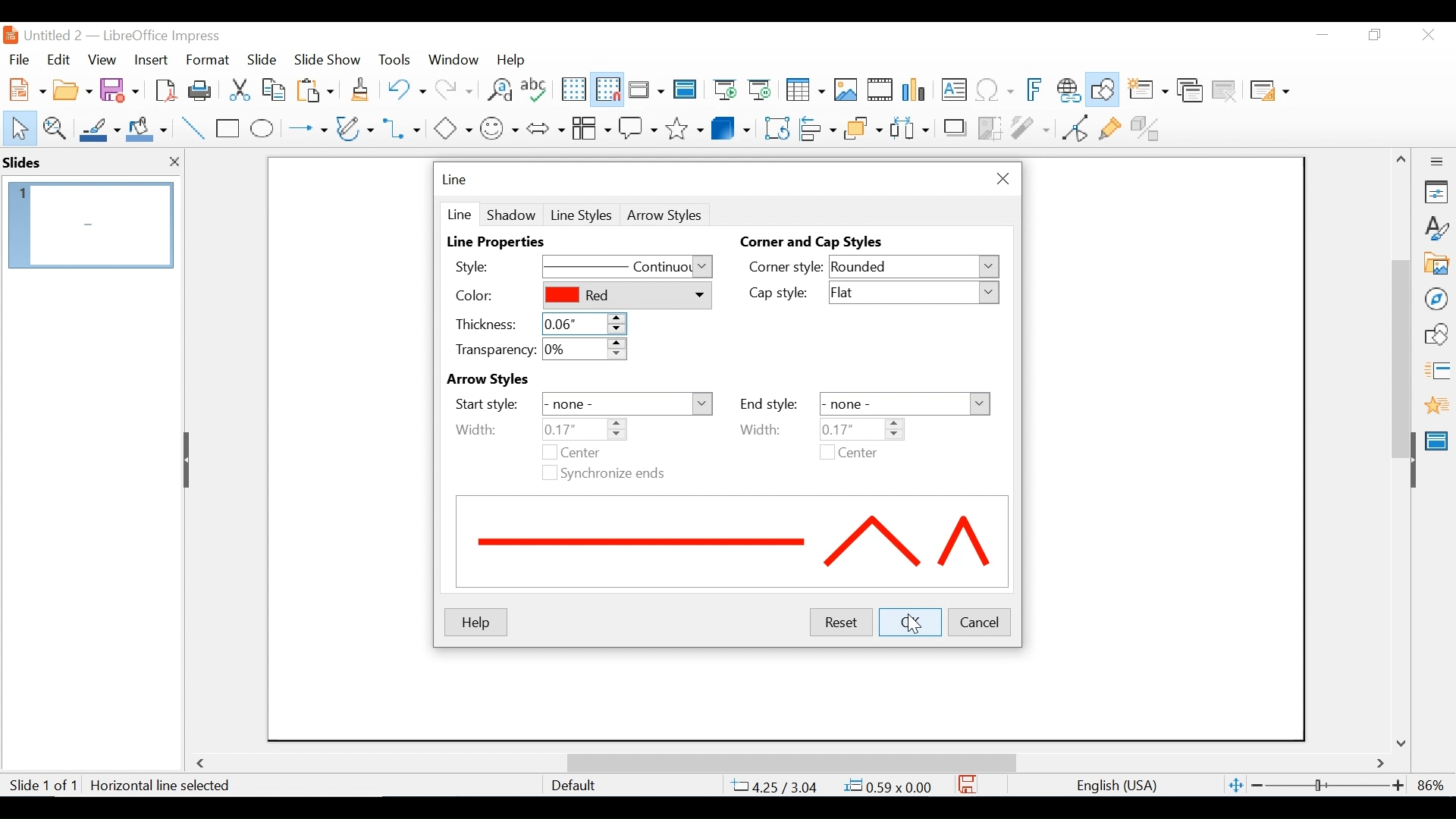  Describe the element at coordinates (201, 89) in the screenshot. I see `Print` at that location.